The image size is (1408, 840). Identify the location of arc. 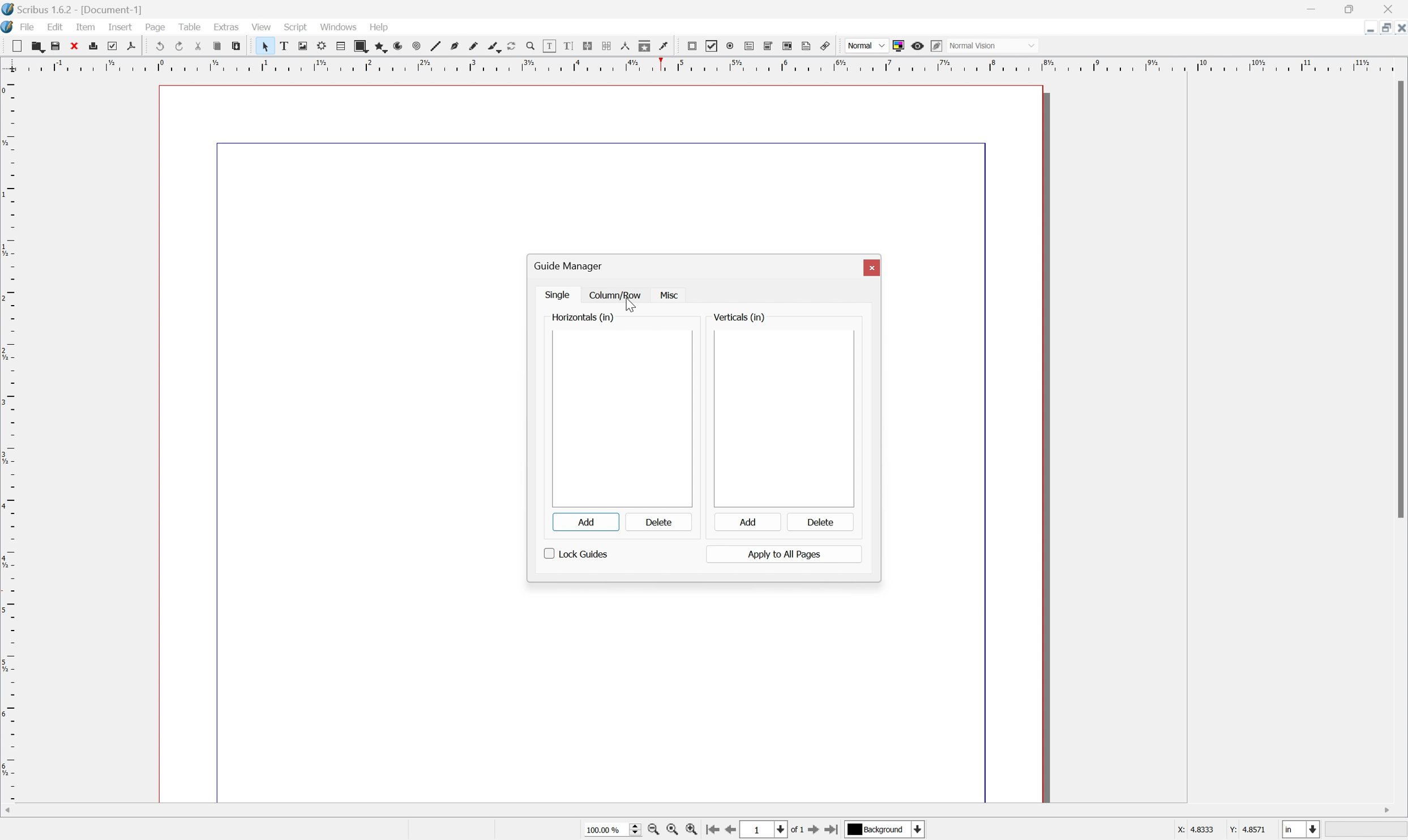
(397, 47).